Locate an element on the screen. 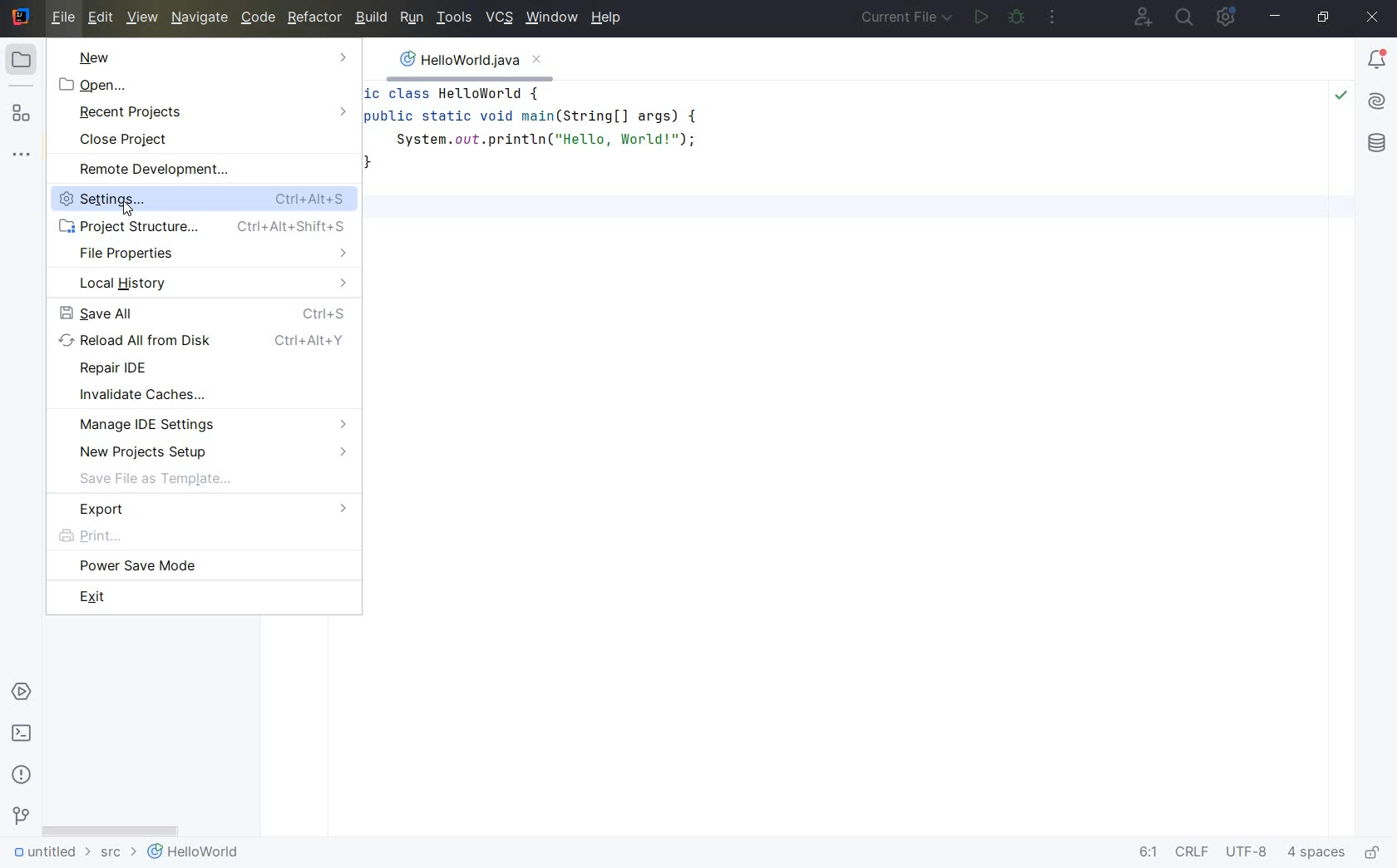  LOCAL HISTORY is located at coordinates (210, 284).